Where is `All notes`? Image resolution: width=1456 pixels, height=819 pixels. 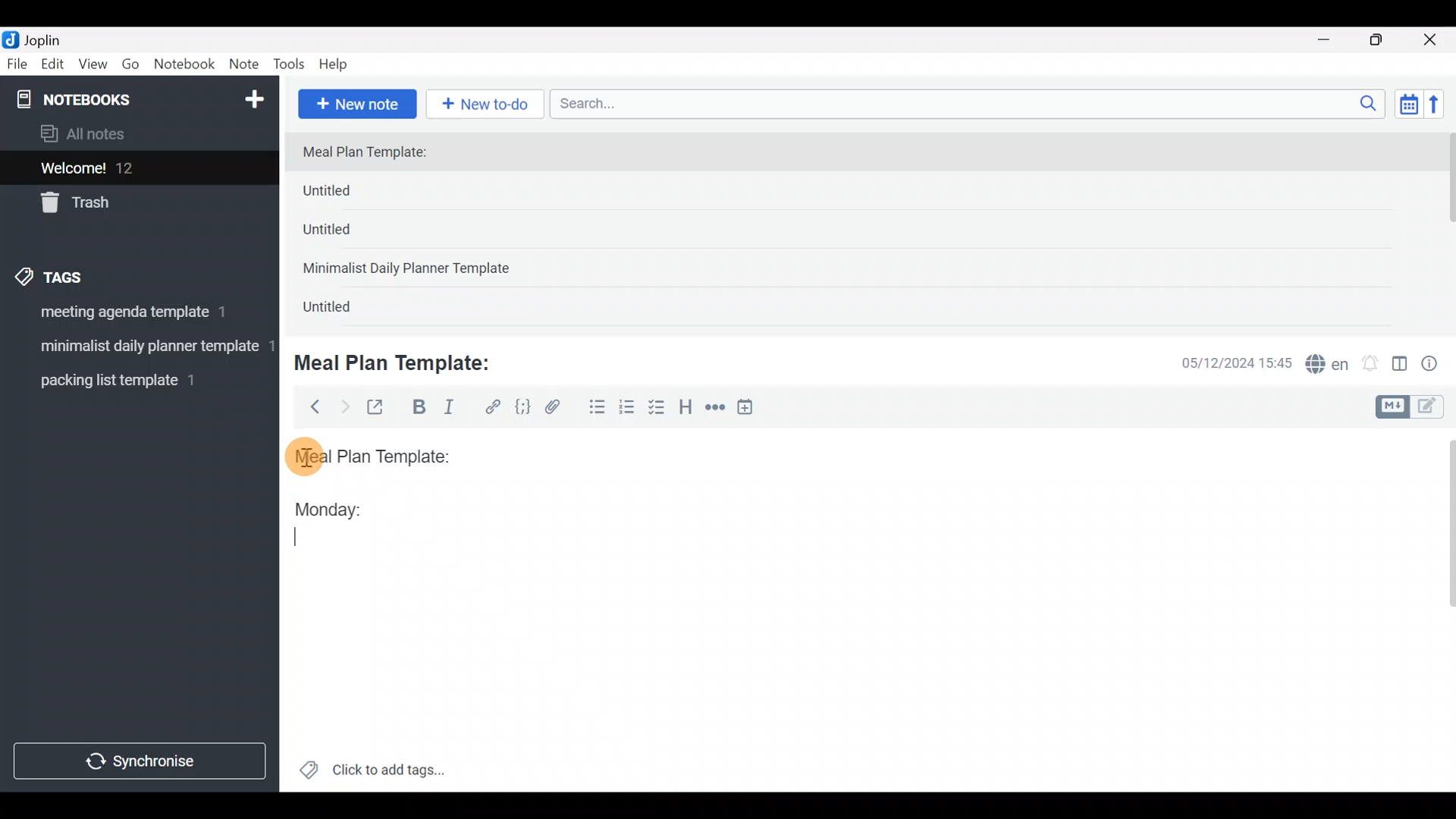
All notes is located at coordinates (136, 135).